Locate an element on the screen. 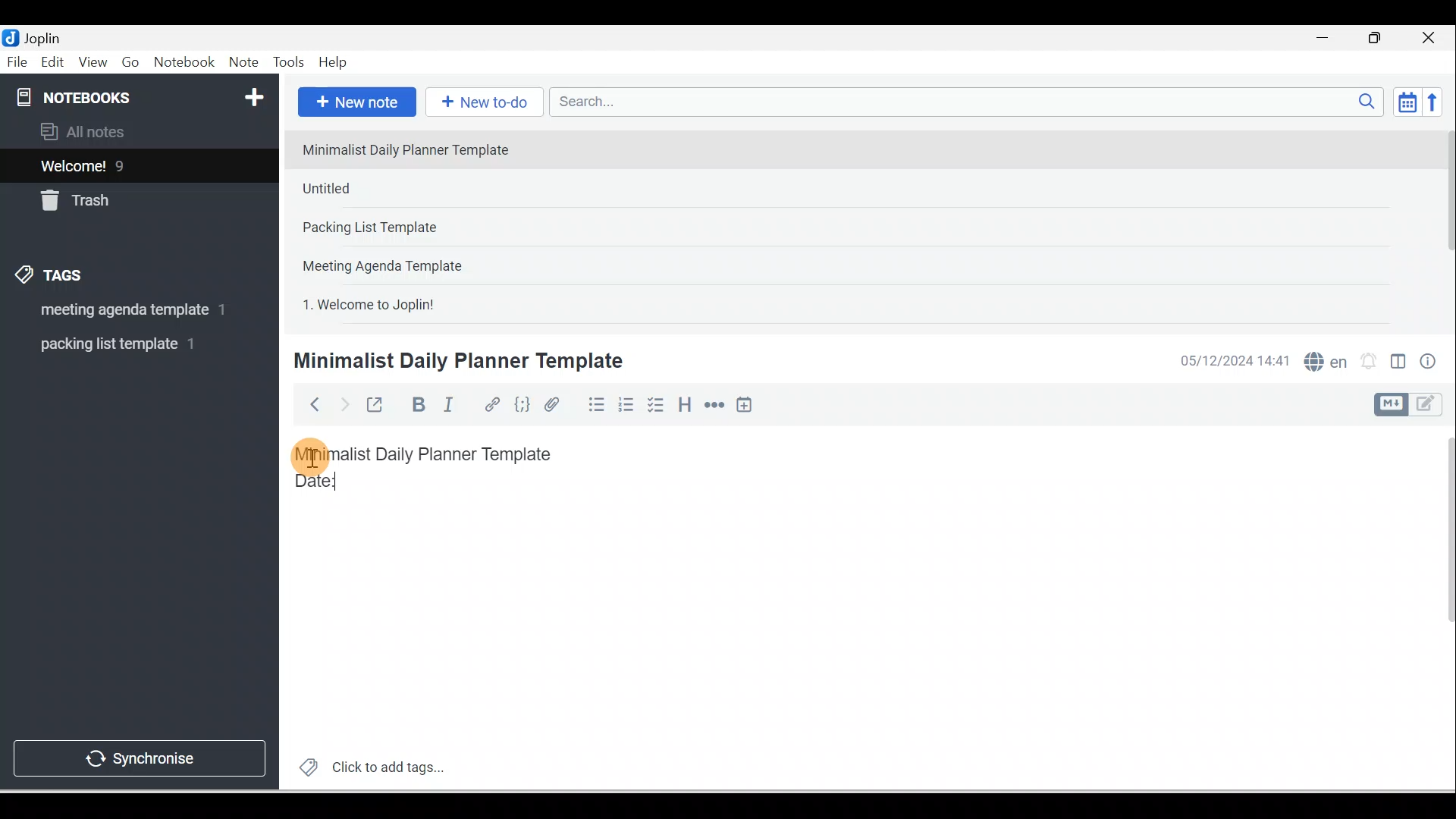 The width and height of the screenshot is (1456, 819). Notebook is located at coordinates (184, 63).